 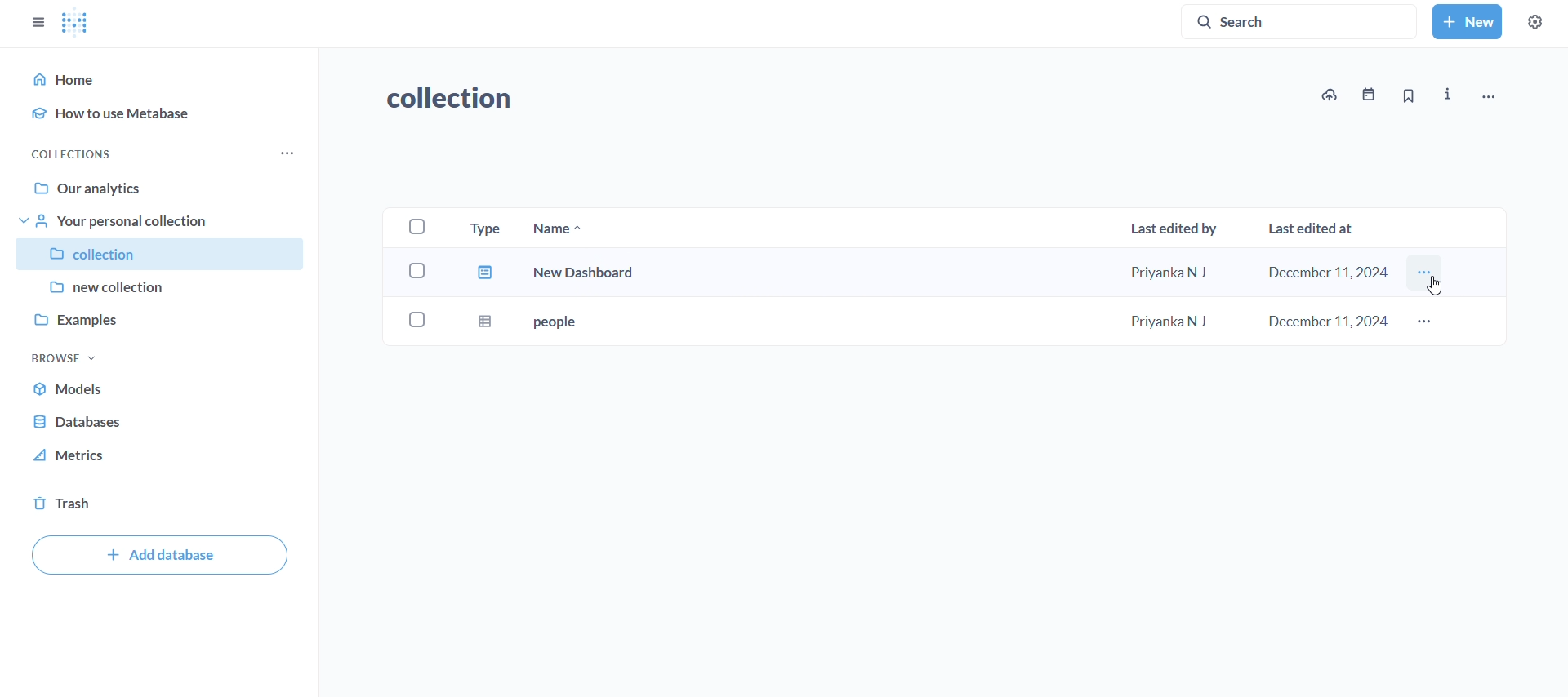 I want to click on settings, so click(x=1534, y=22).